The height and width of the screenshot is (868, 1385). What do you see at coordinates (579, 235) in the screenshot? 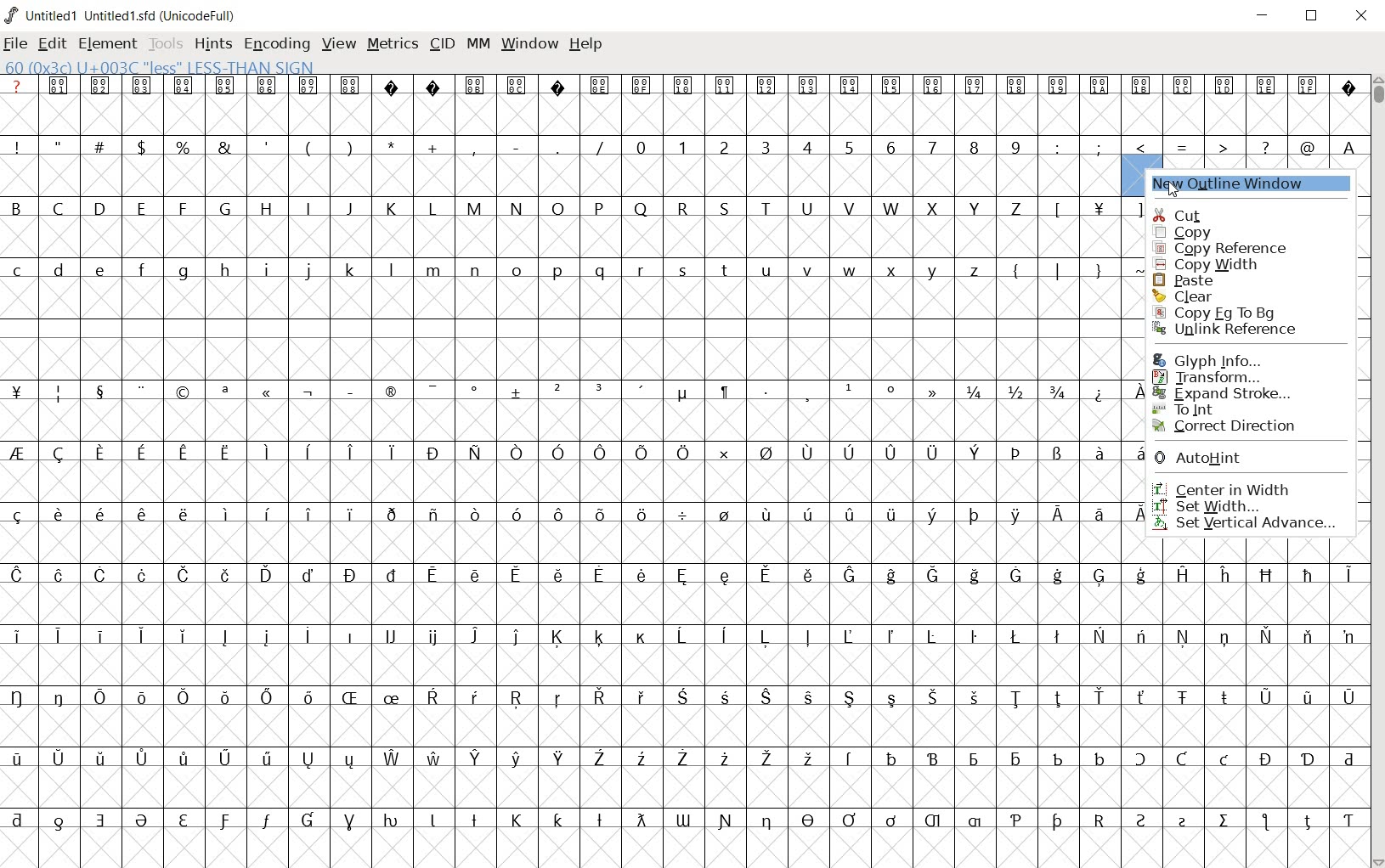
I see `empty cells` at bounding box center [579, 235].